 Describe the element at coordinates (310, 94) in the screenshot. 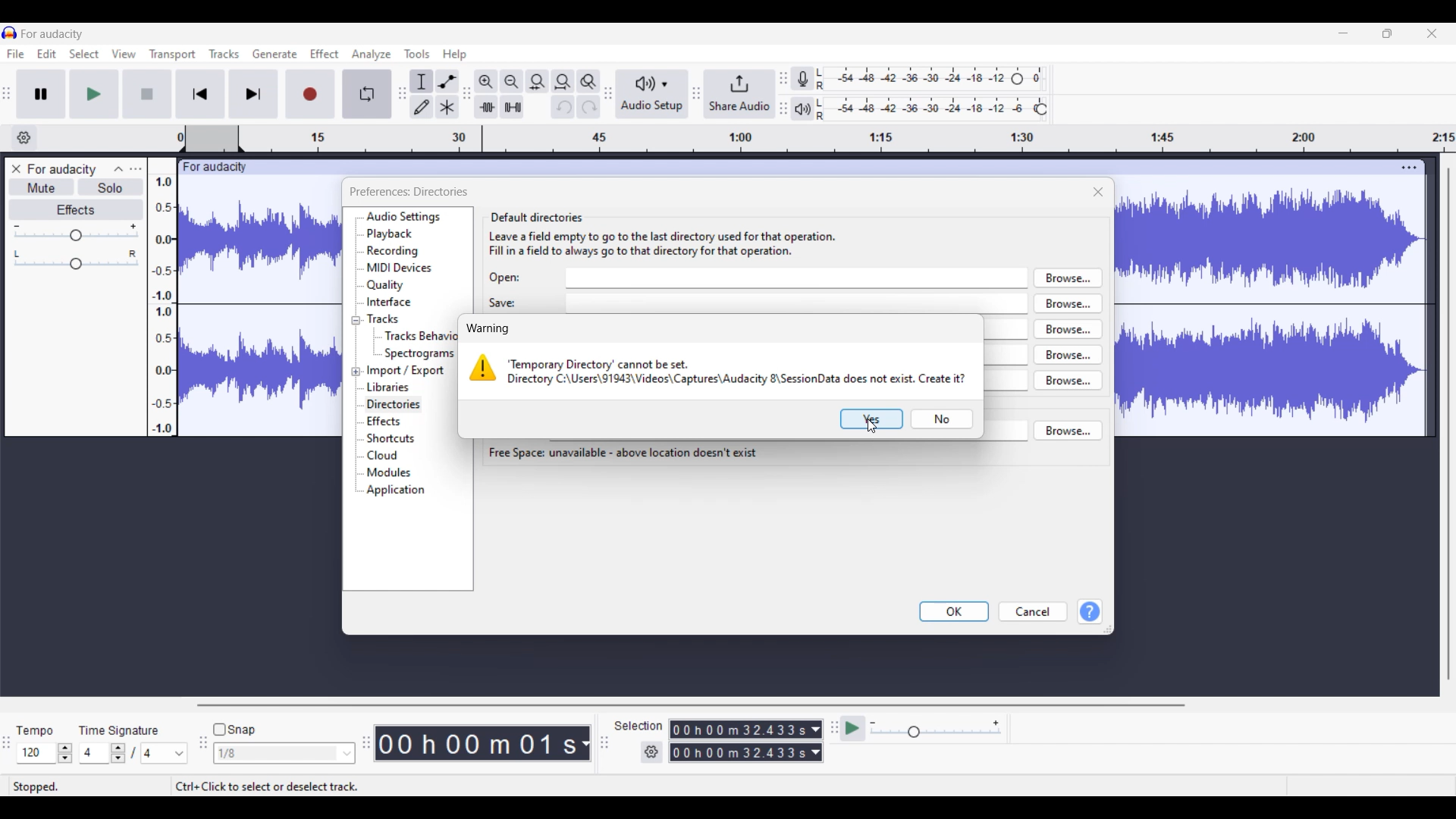

I see `Record/Record new track` at that location.